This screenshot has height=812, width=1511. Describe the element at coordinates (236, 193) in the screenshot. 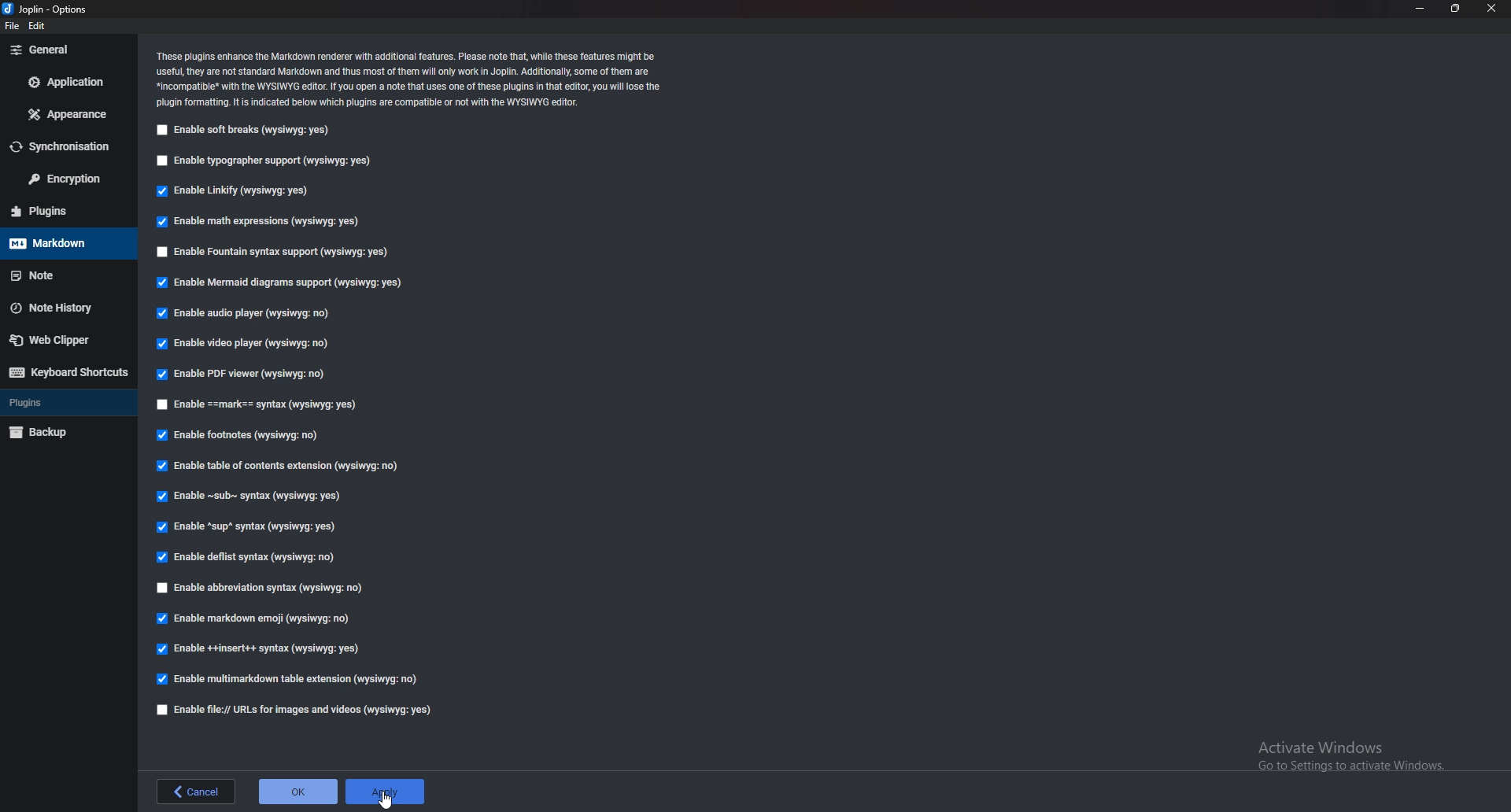

I see `Enable linkify` at that location.